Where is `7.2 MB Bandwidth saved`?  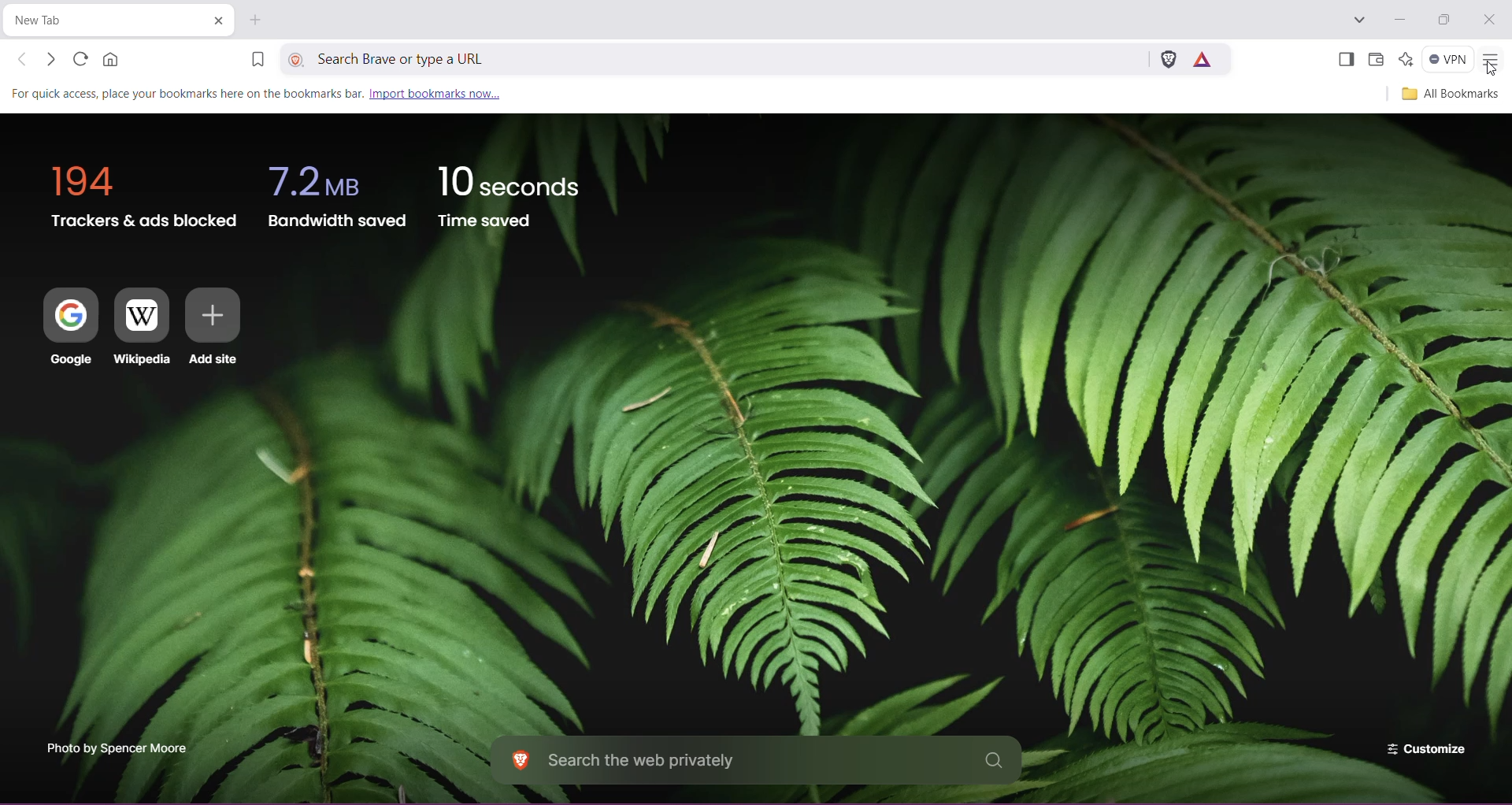
7.2 MB Bandwidth saved is located at coordinates (338, 193).